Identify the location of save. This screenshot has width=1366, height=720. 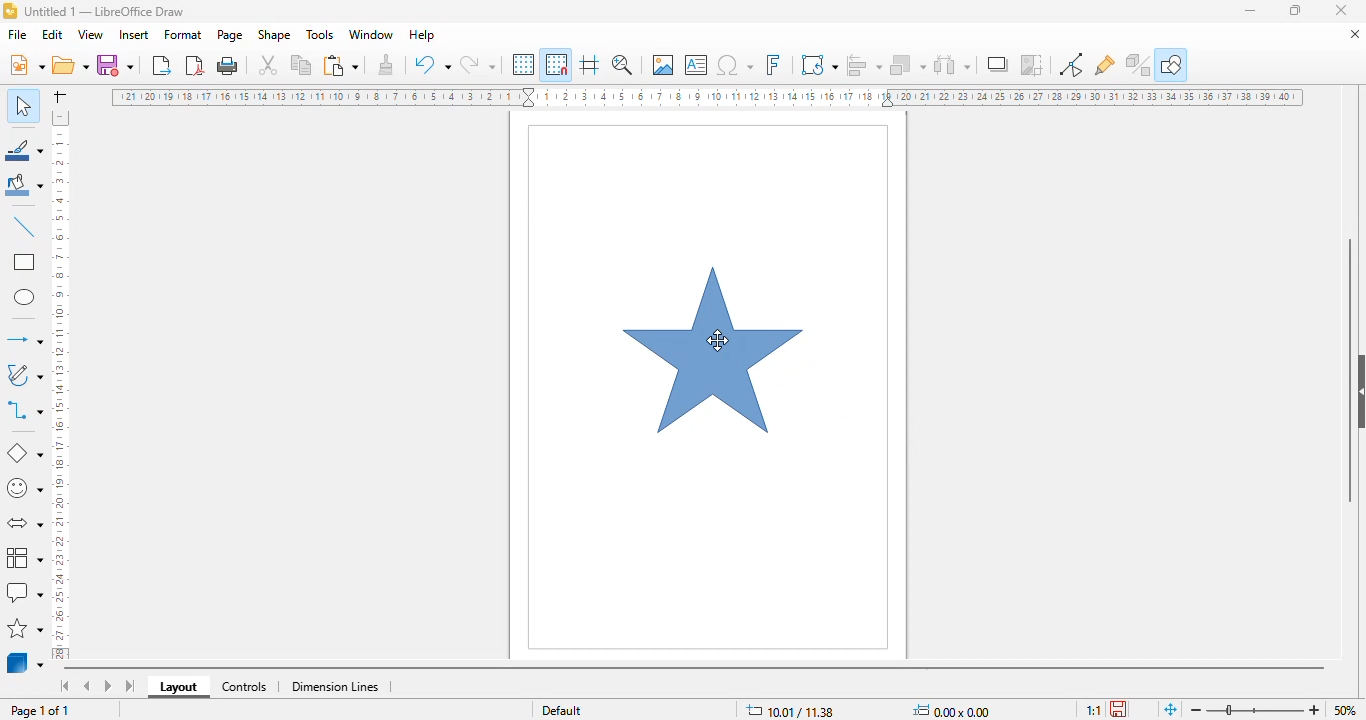
(115, 65).